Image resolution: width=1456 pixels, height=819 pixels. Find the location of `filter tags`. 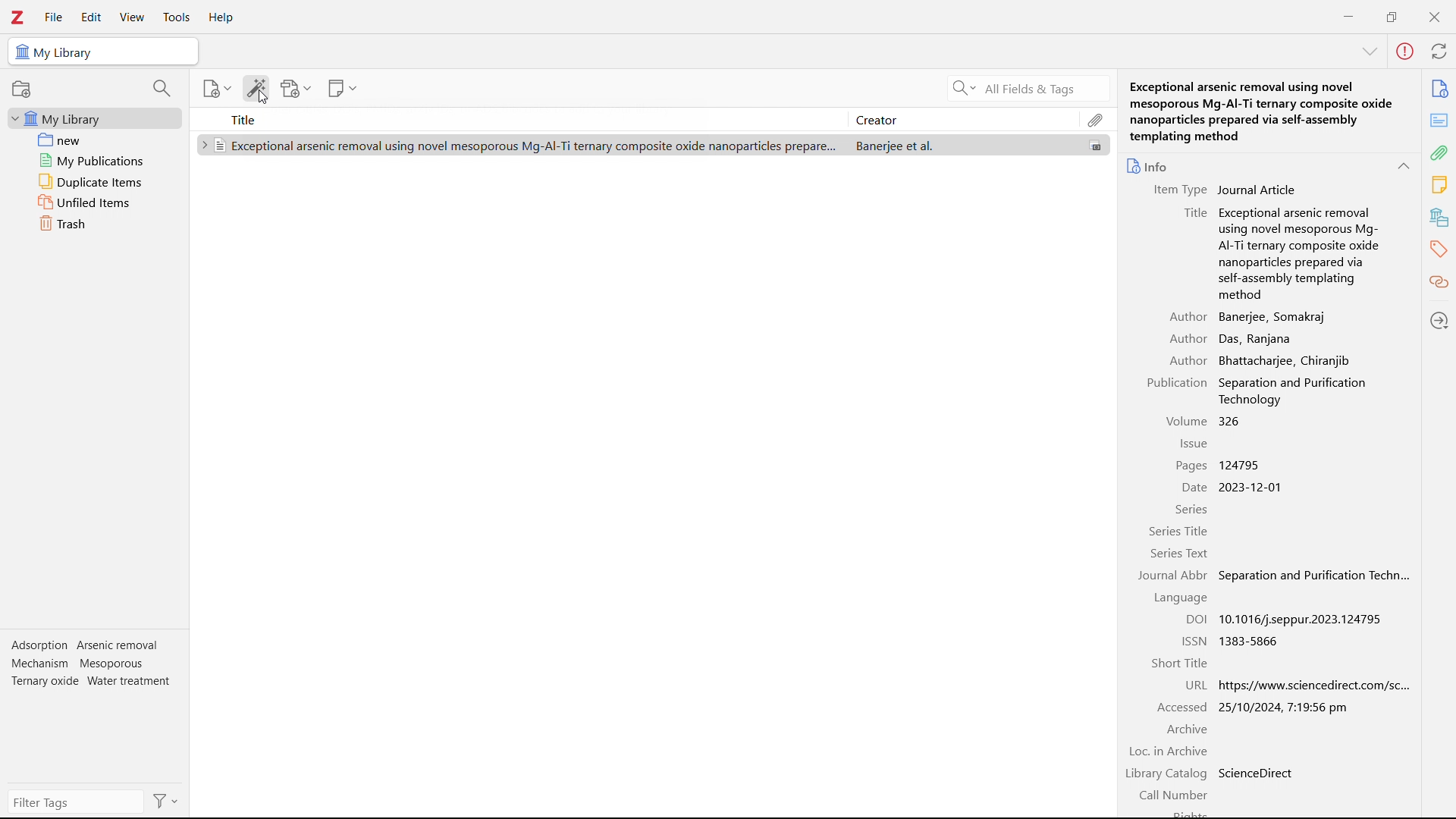

filter tags is located at coordinates (77, 802).